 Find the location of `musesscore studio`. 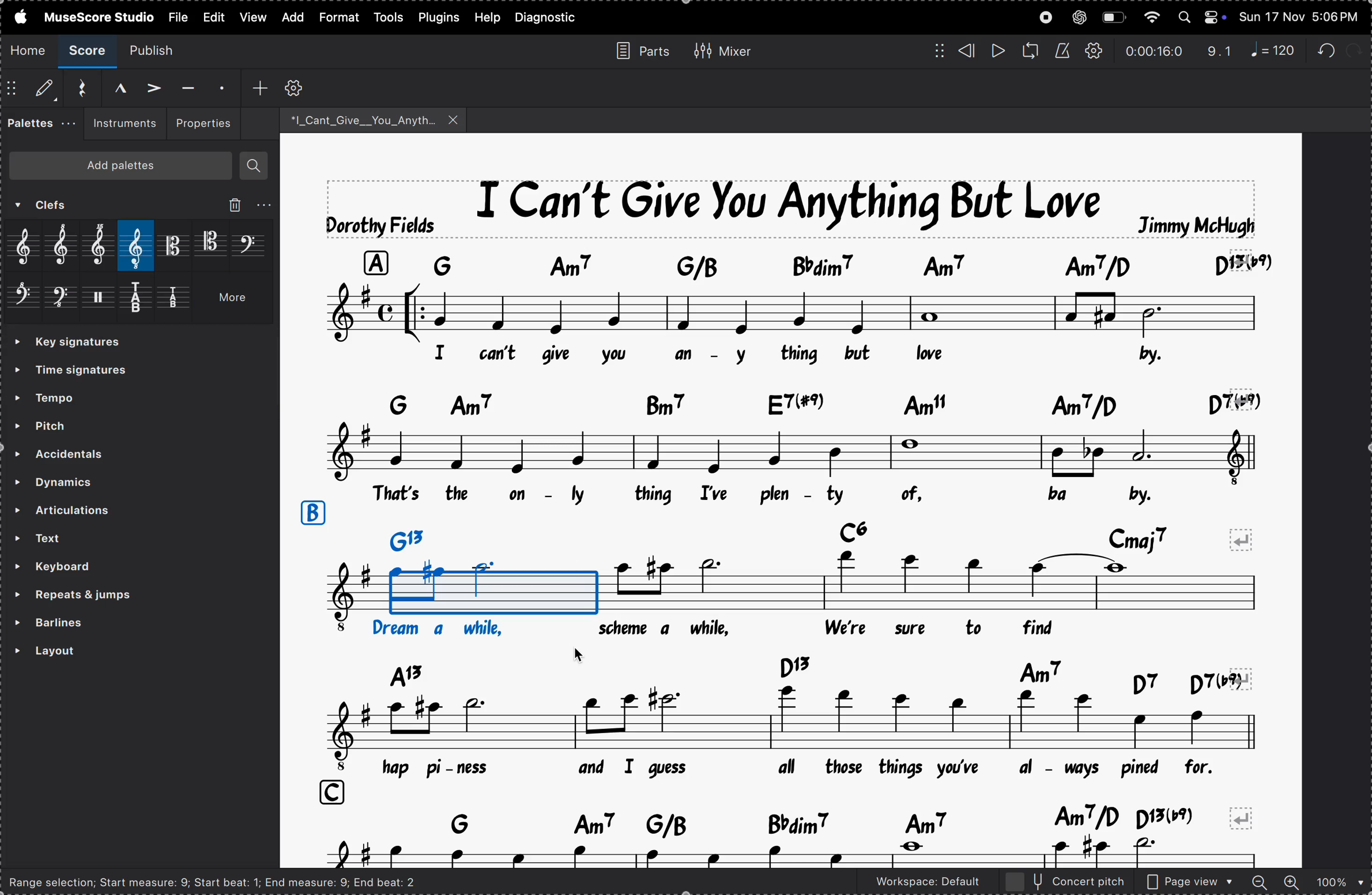

musesscore studio is located at coordinates (98, 16).